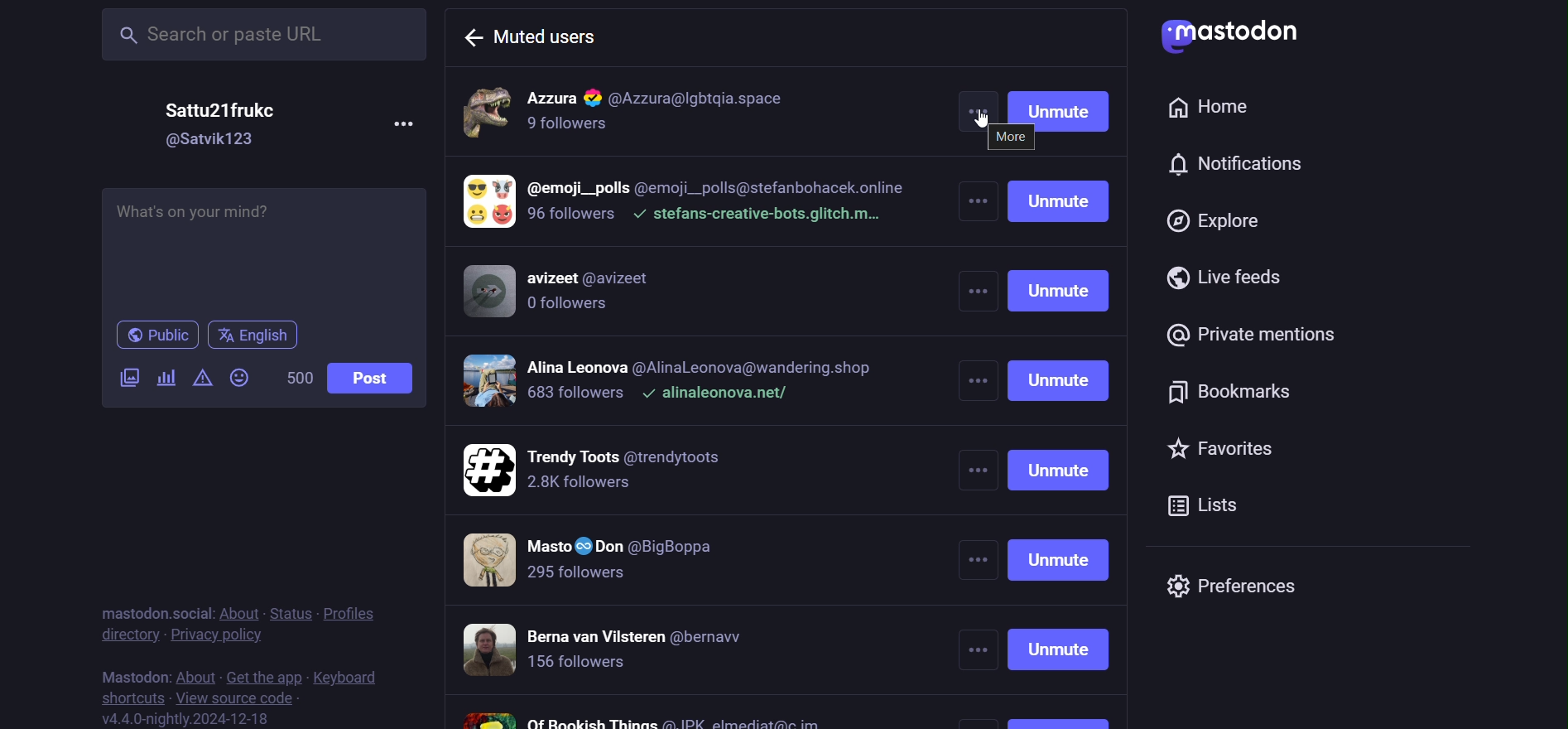 The width and height of the screenshot is (1568, 729). I want to click on more, so click(977, 104).